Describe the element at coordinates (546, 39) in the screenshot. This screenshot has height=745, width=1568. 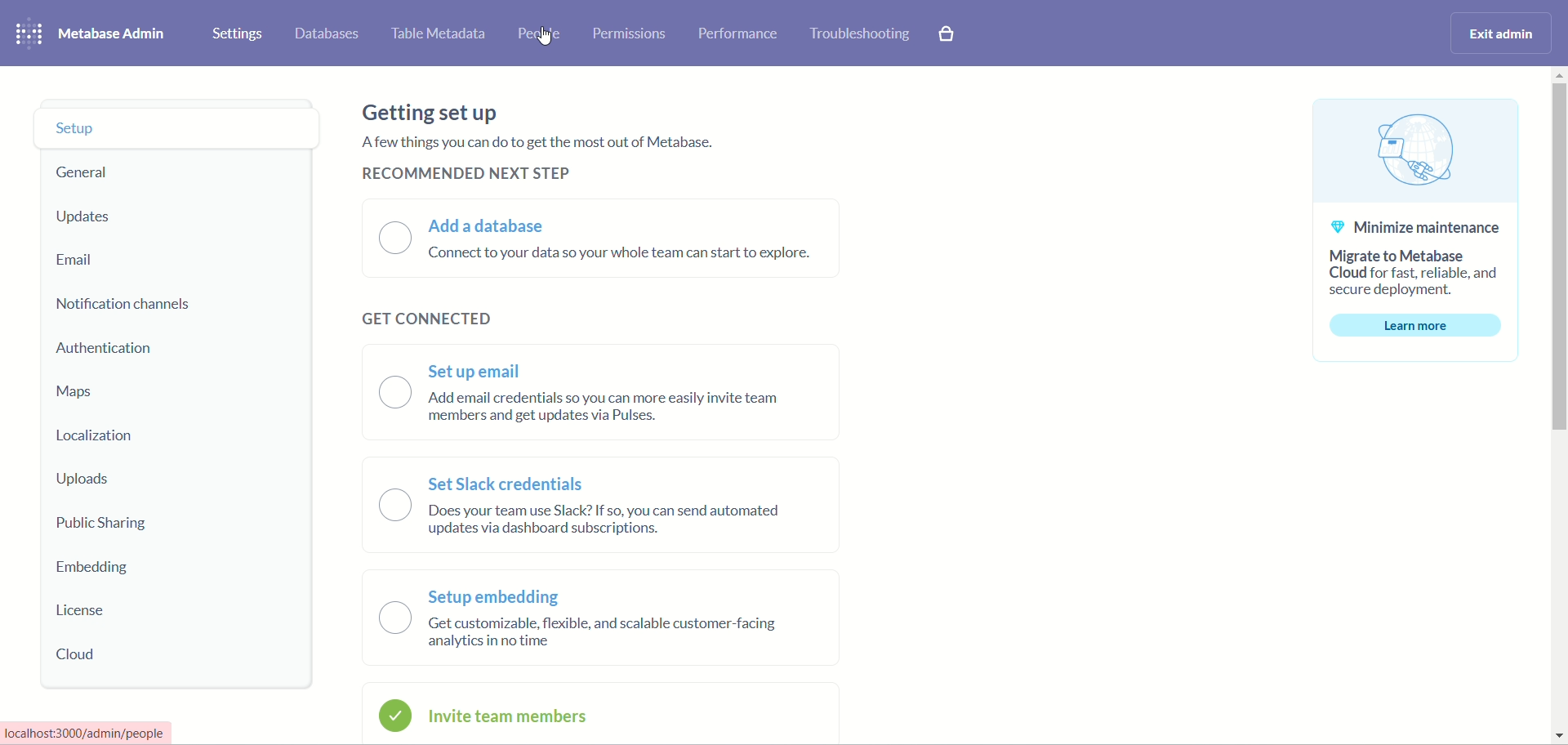
I see `cursor` at that location.